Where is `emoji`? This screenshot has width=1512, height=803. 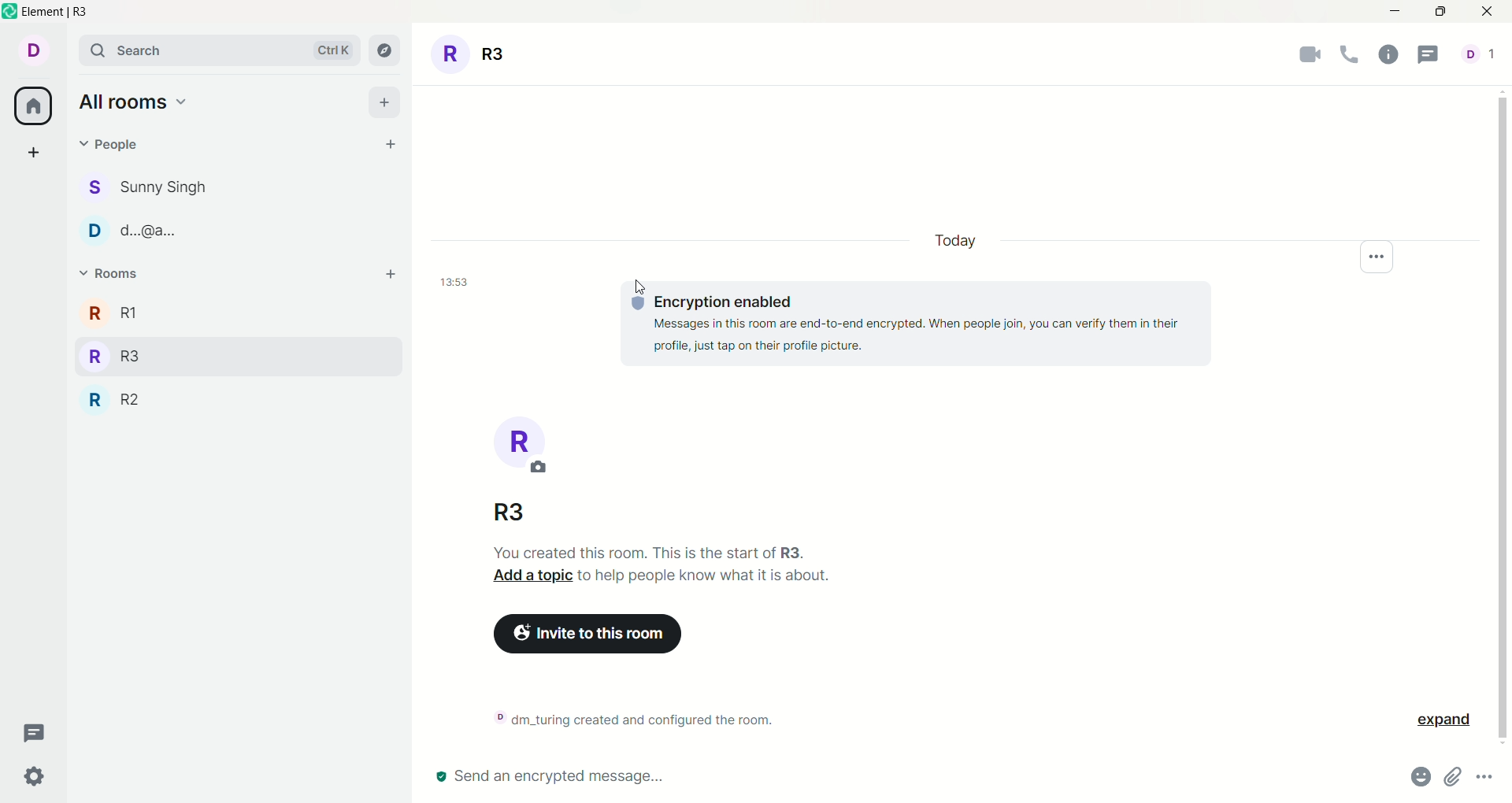
emoji is located at coordinates (1420, 777).